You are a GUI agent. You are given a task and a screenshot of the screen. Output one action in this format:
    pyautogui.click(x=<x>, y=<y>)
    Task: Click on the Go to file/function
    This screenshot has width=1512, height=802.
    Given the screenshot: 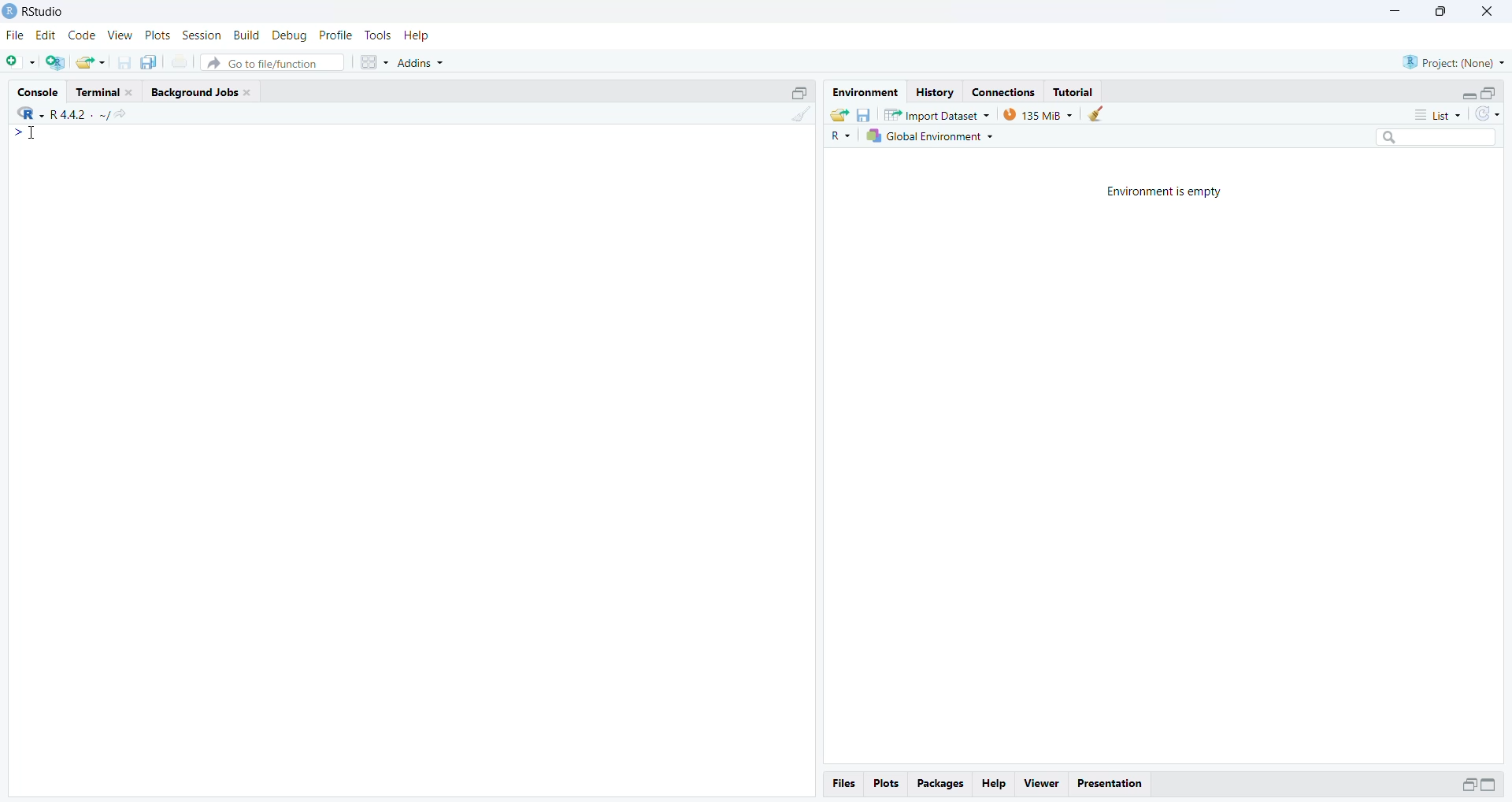 What is the action you would take?
    pyautogui.click(x=274, y=61)
    